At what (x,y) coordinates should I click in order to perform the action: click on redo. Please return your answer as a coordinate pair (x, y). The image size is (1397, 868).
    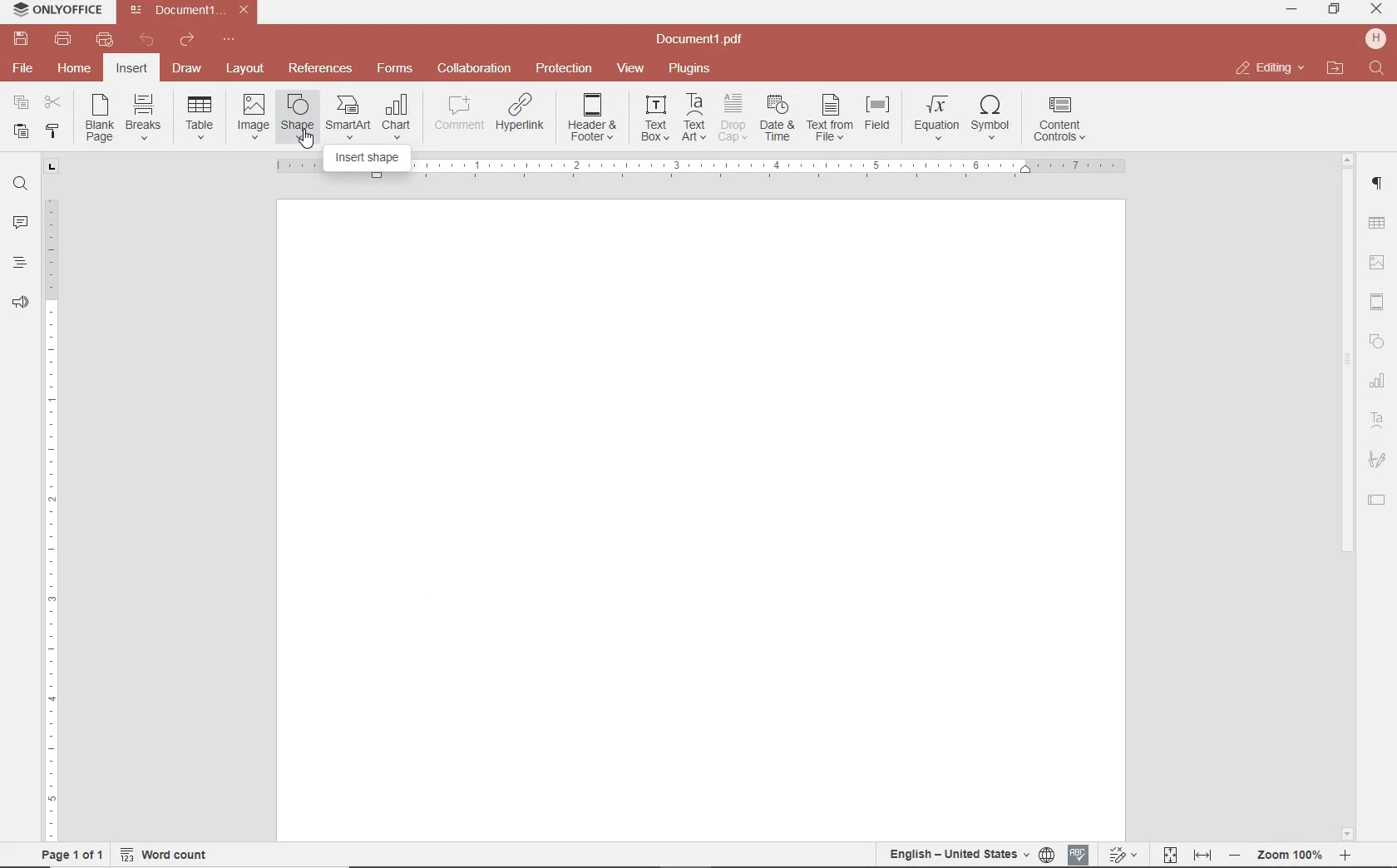
    Looking at the image, I should click on (185, 42).